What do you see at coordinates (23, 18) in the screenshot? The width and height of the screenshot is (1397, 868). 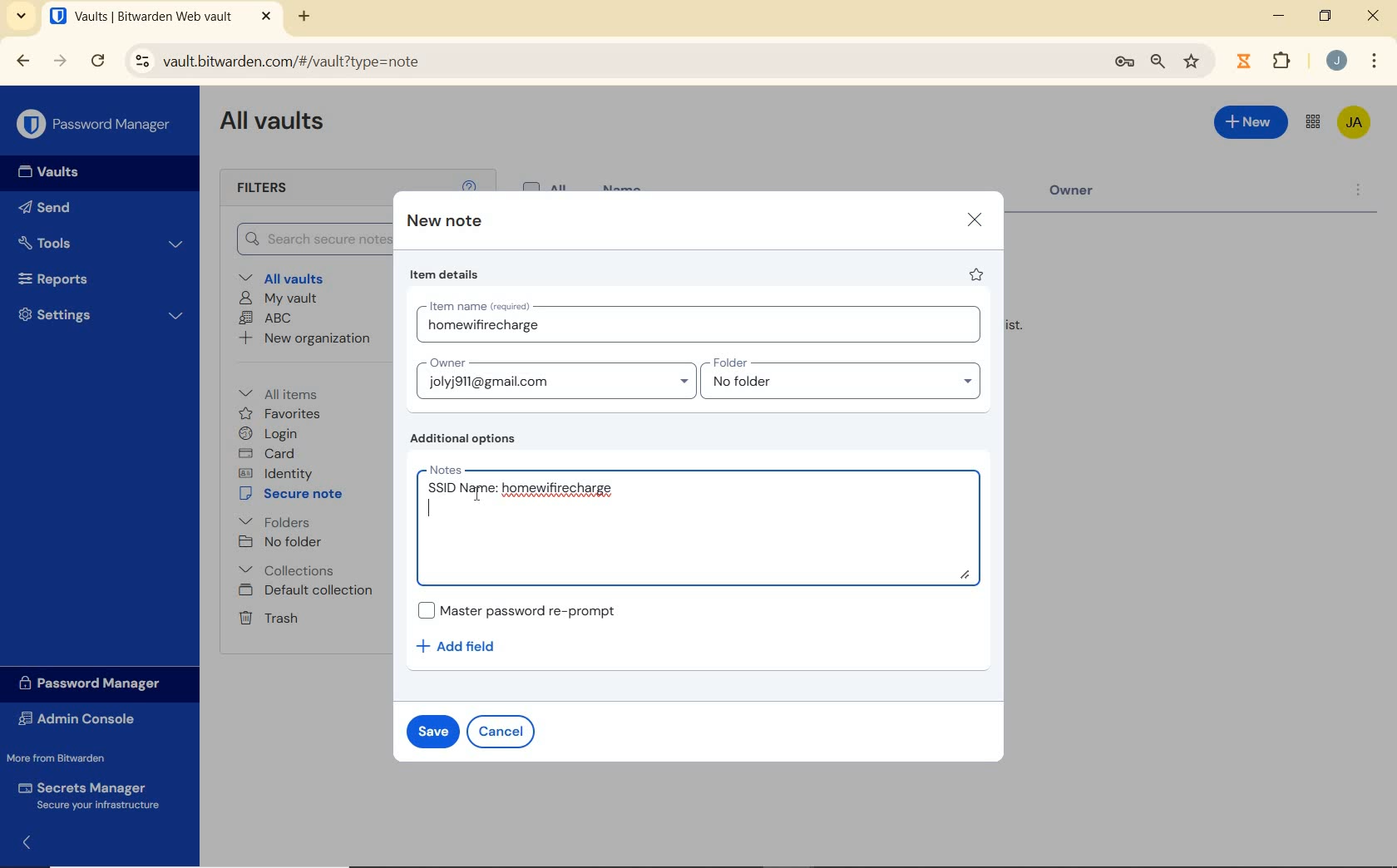 I see `search tabs` at bounding box center [23, 18].